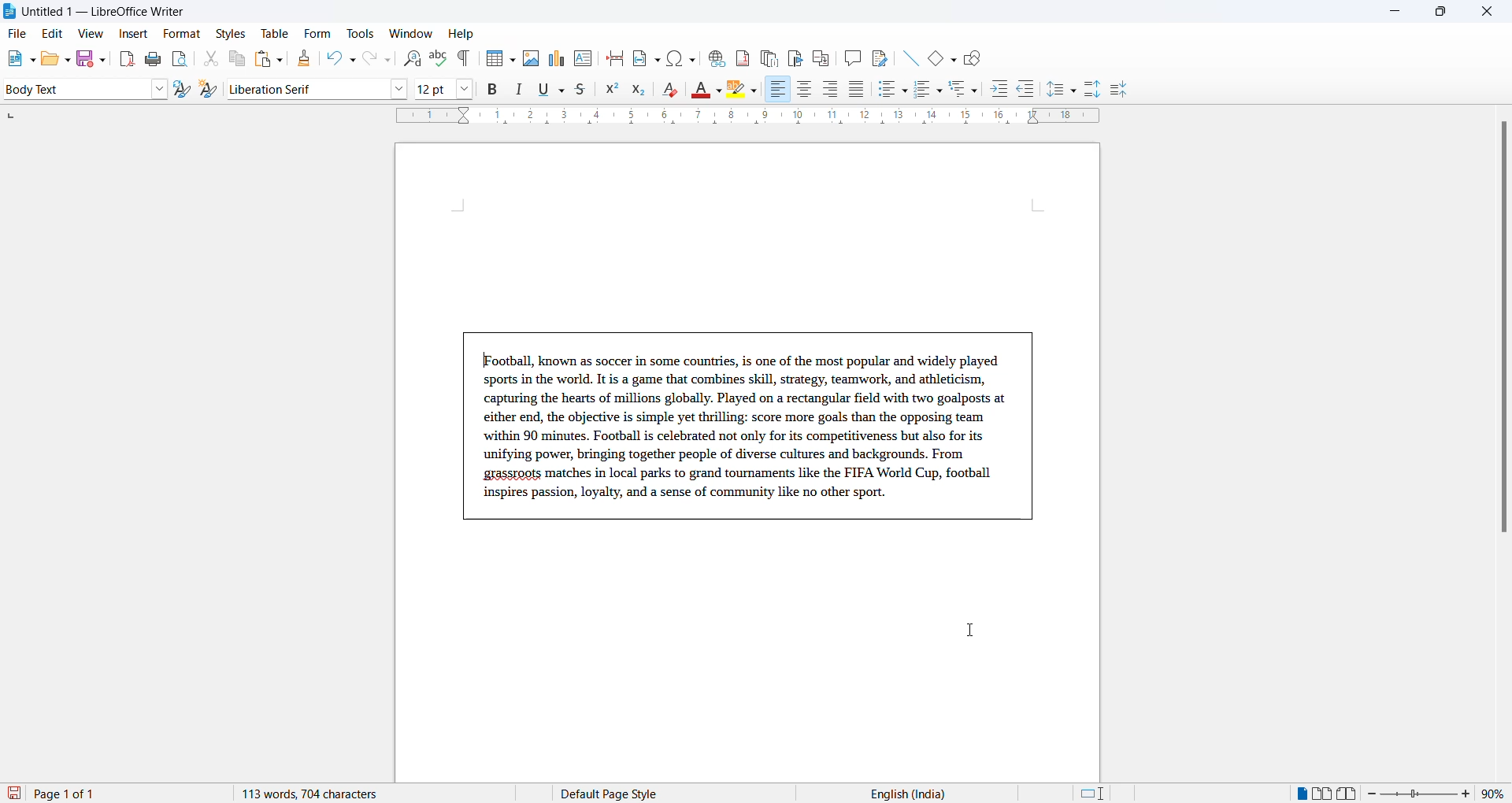 This screenshot has height=803, width=1512. Describe the element at coordinates (1351, 794) in the screenshot. I see `book view` at that location.